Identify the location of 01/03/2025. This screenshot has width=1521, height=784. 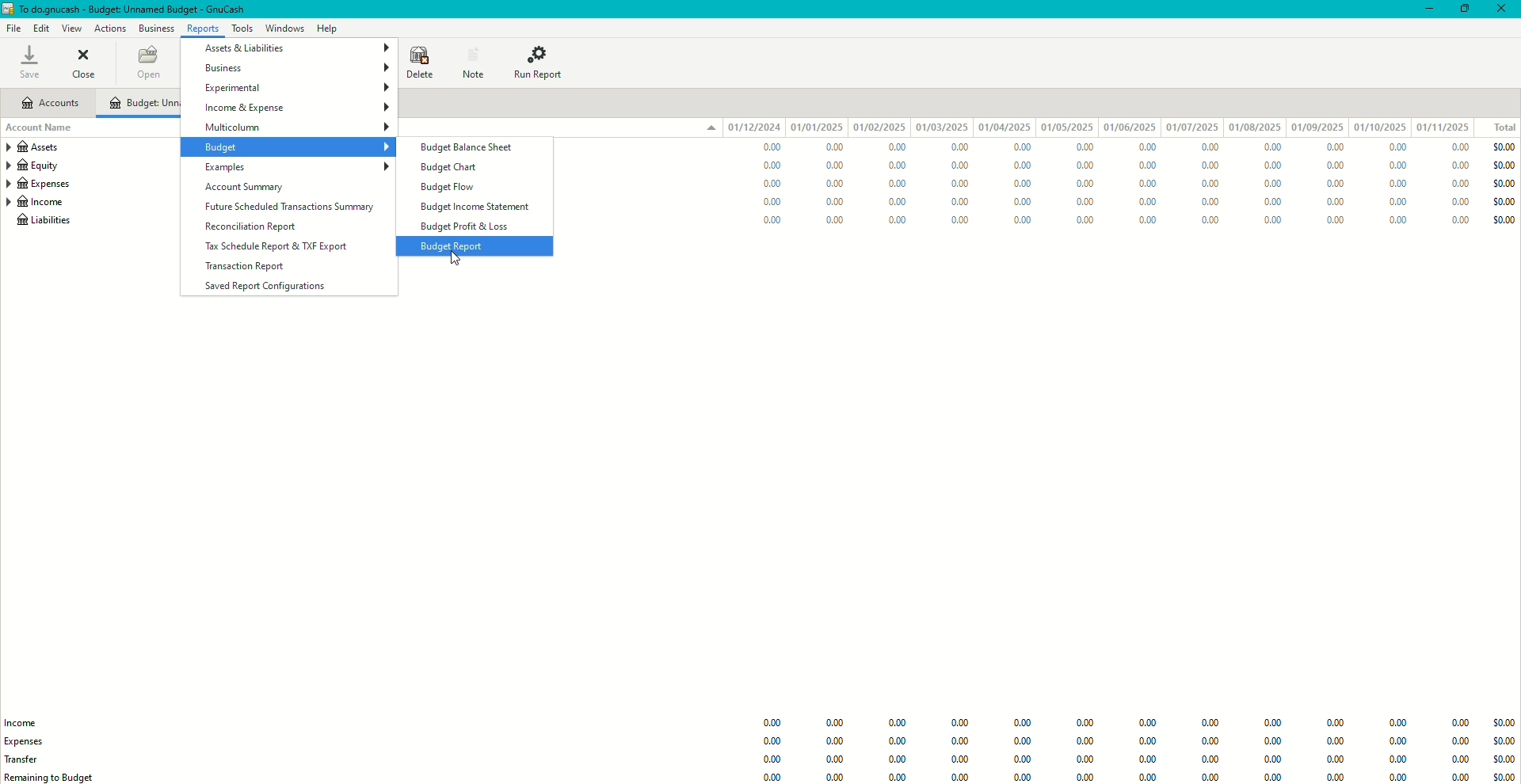
(941, 127).